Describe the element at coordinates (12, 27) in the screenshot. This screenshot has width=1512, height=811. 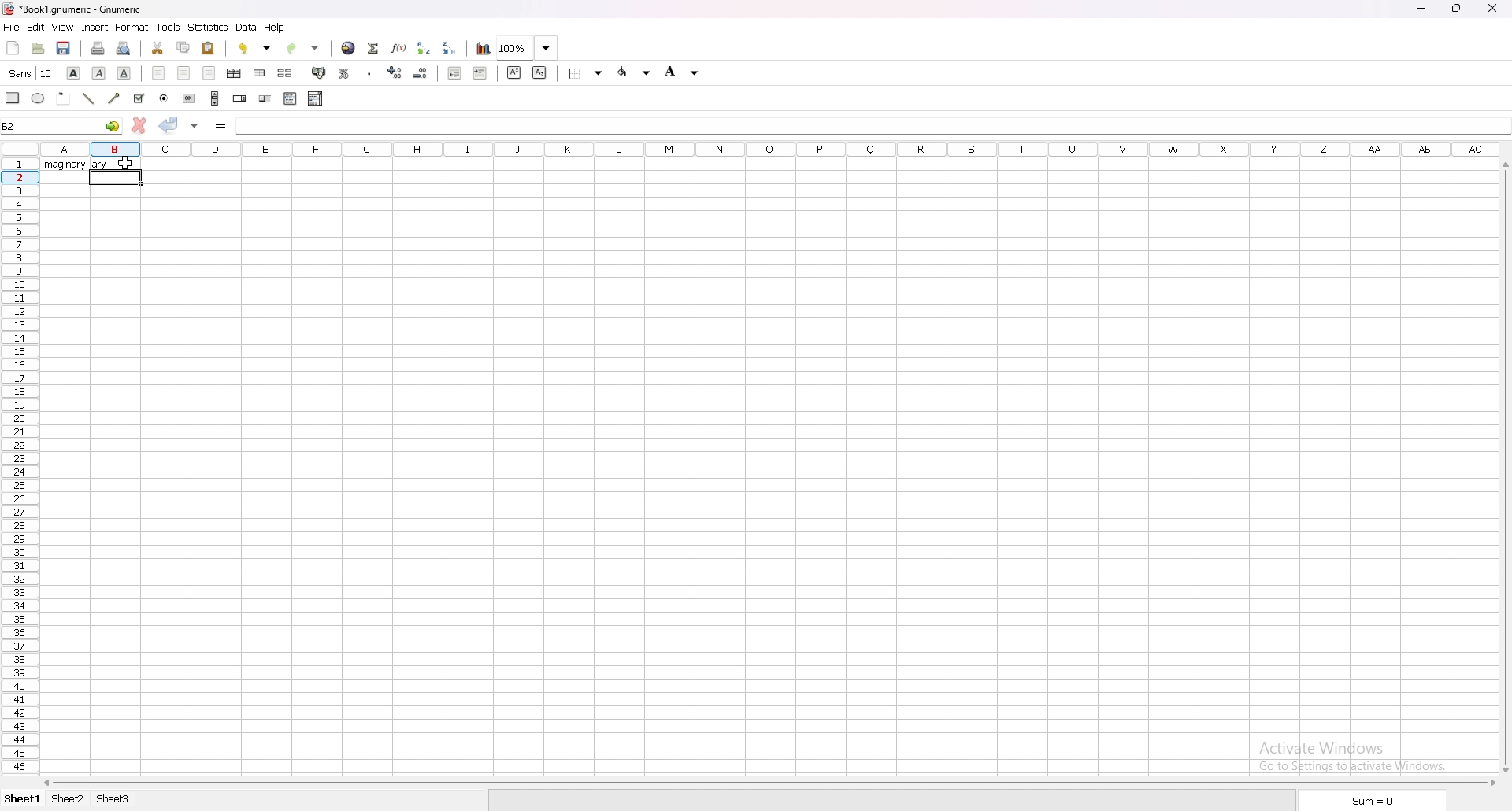
I see `file` at that location.